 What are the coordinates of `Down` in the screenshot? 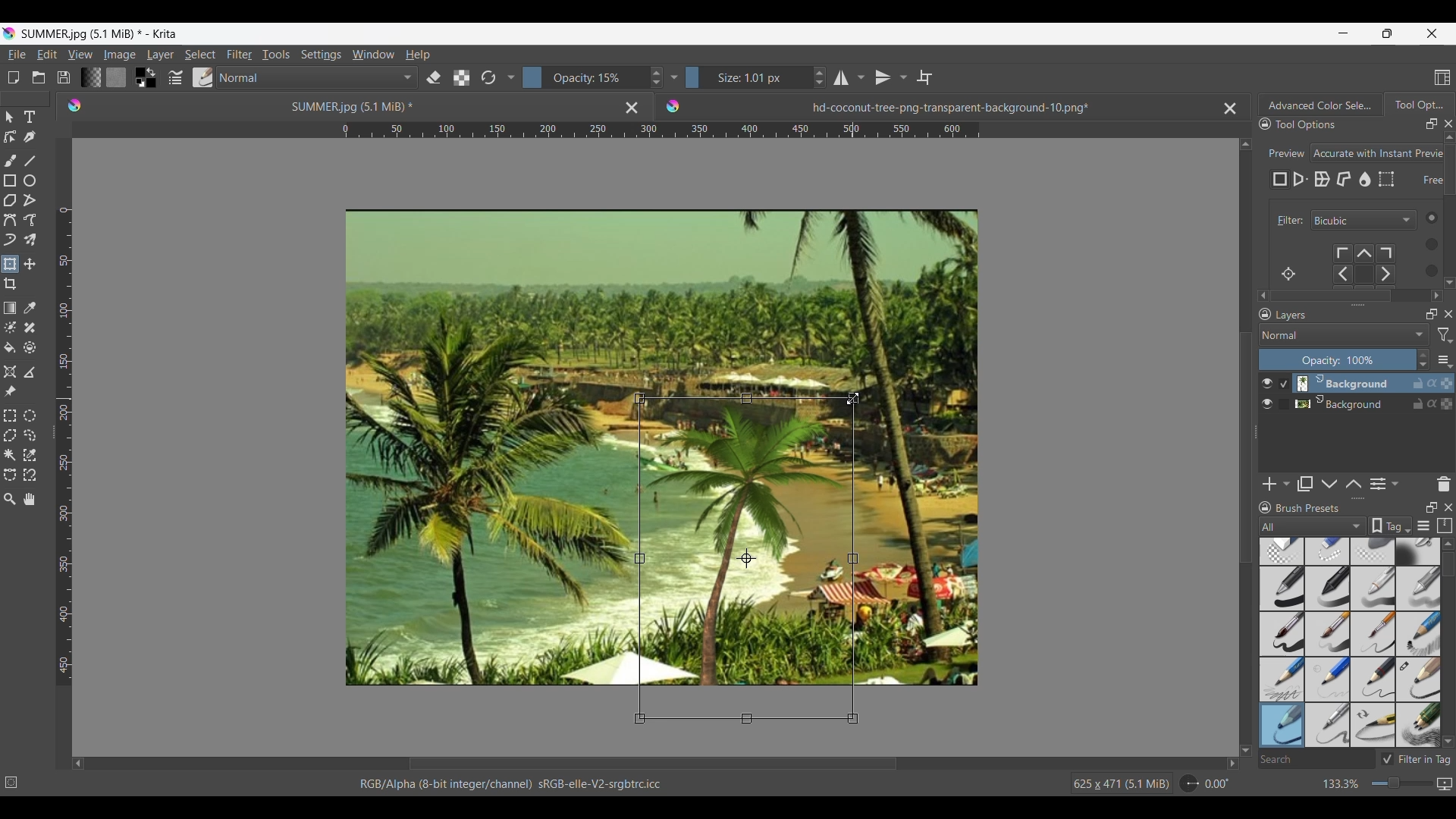 It's located at (1448, 741).